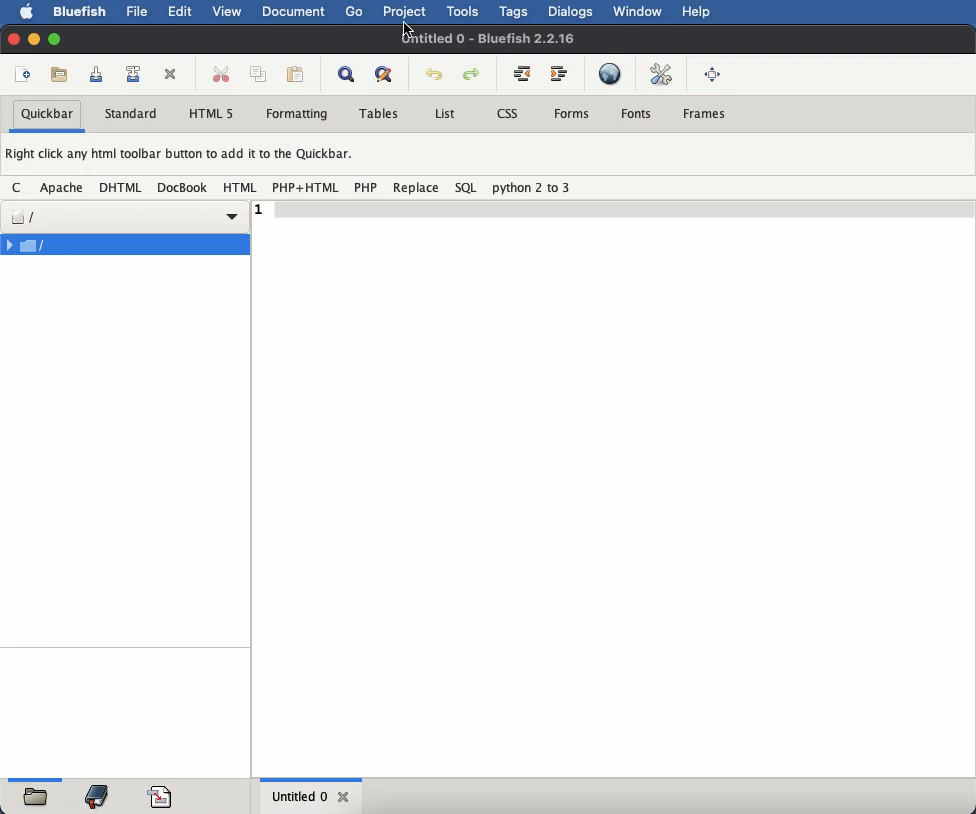 This screenshot has width=976, height=814. What do you see at coordinates (298, 115) in the screenshot?
I see `formatting` at bounding box center [298, 115].